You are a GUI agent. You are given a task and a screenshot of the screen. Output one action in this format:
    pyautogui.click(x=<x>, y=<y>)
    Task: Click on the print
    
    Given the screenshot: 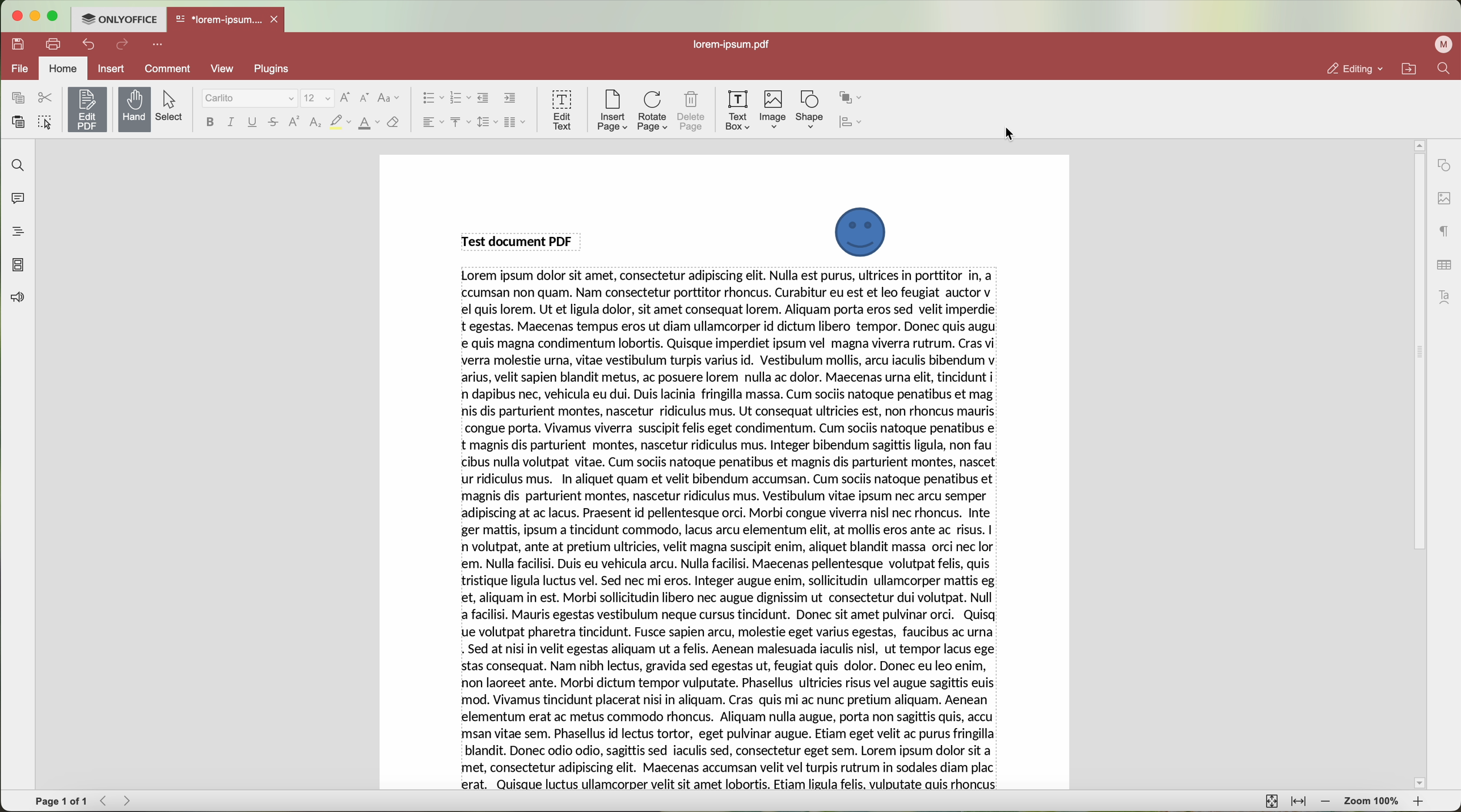 What is the action you would take?
    pyautogui.click(x=54, y=43)
    